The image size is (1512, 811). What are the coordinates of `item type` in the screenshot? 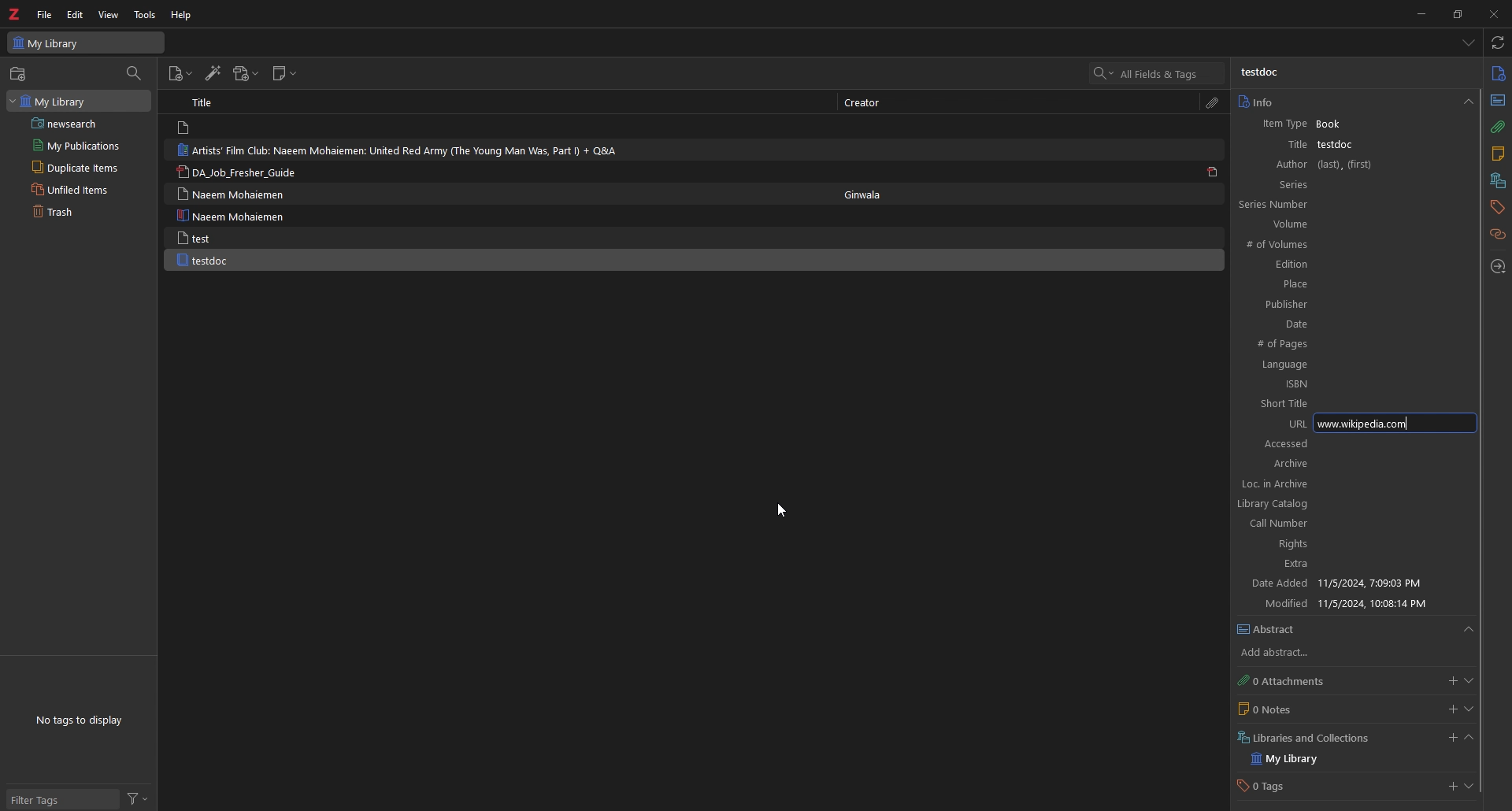 It's located at (1284, 124).